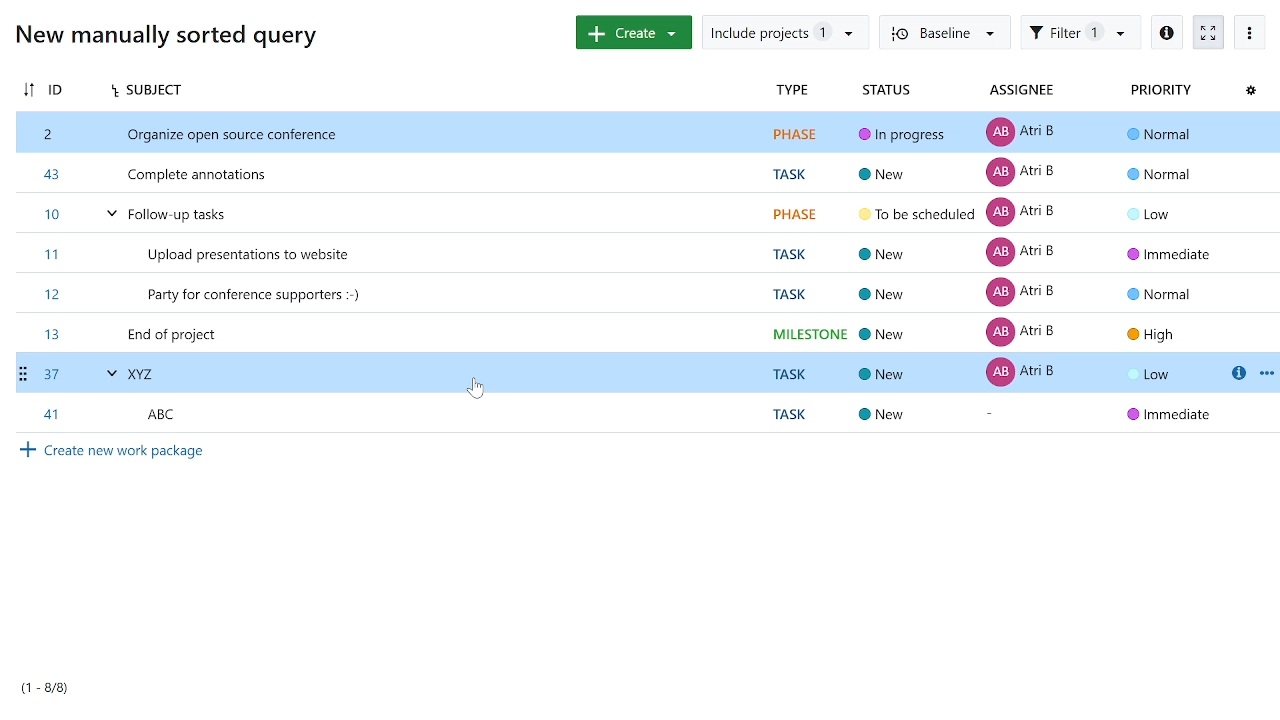 This screenshot has width=1280, height=720. I want to click on task name "End of project", so click(648, 330).